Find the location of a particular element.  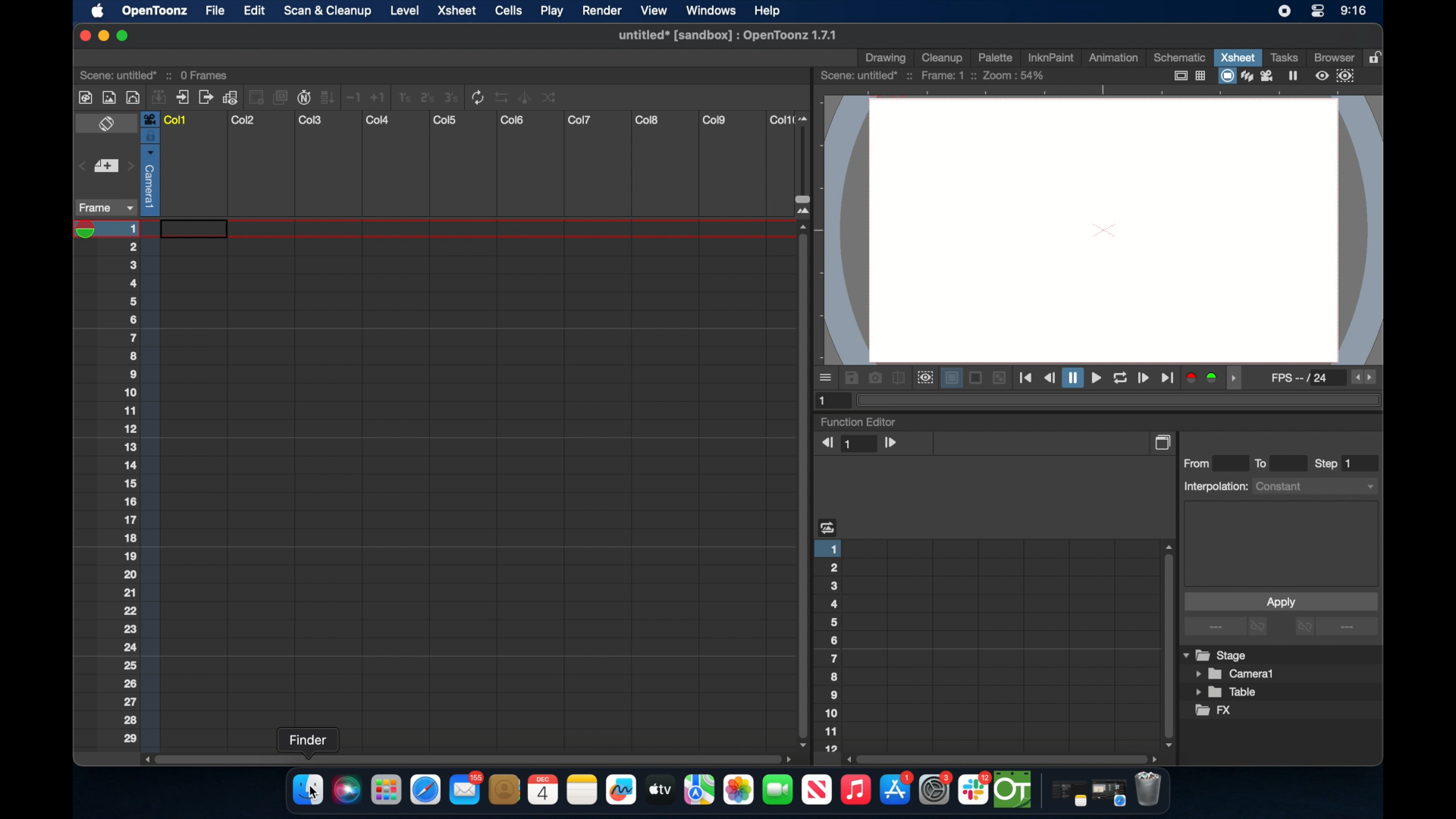

safari is located at coordinates (1109, 793).